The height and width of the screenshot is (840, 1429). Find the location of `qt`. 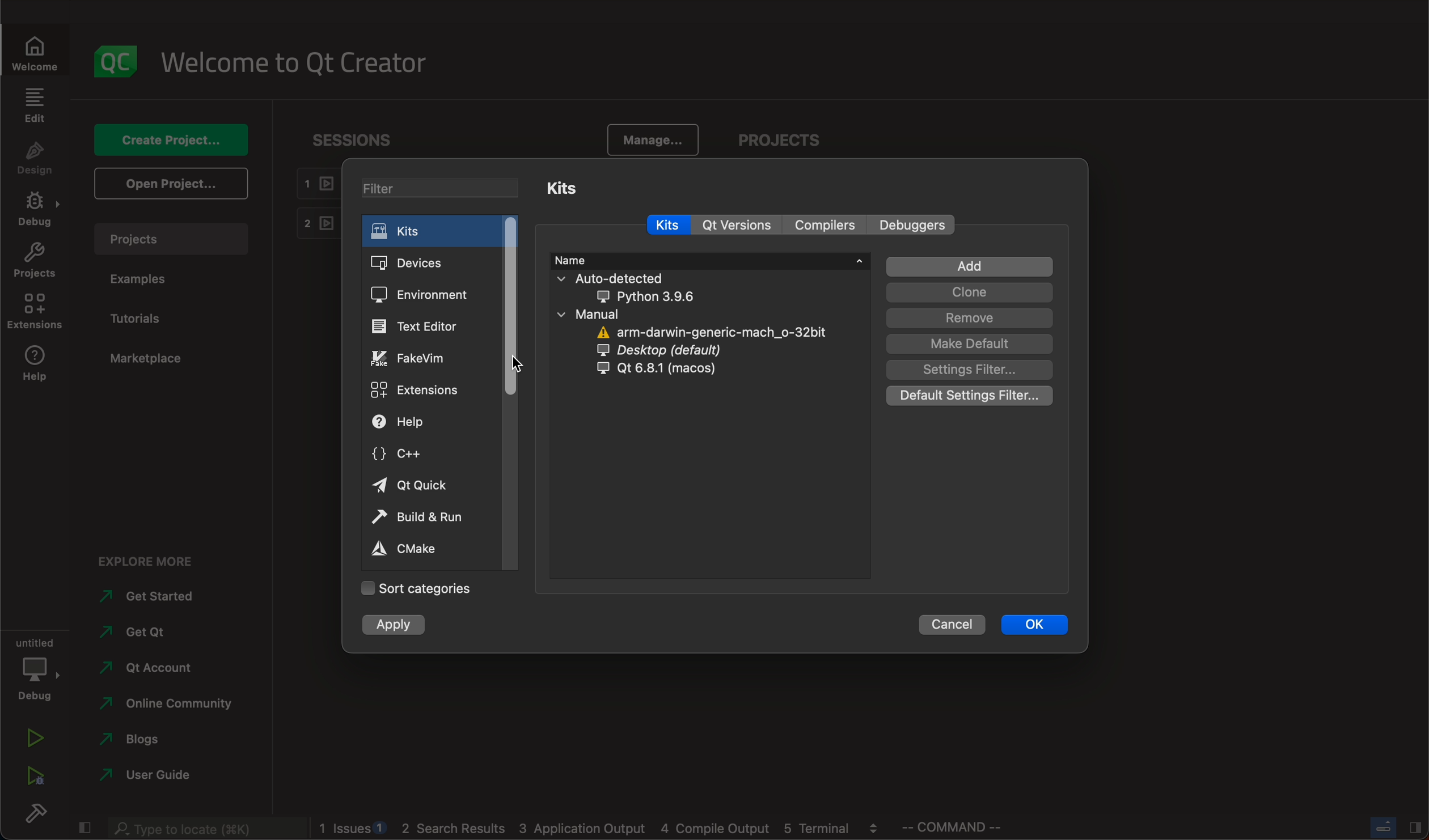

qt is located at coordinates (667, 374).